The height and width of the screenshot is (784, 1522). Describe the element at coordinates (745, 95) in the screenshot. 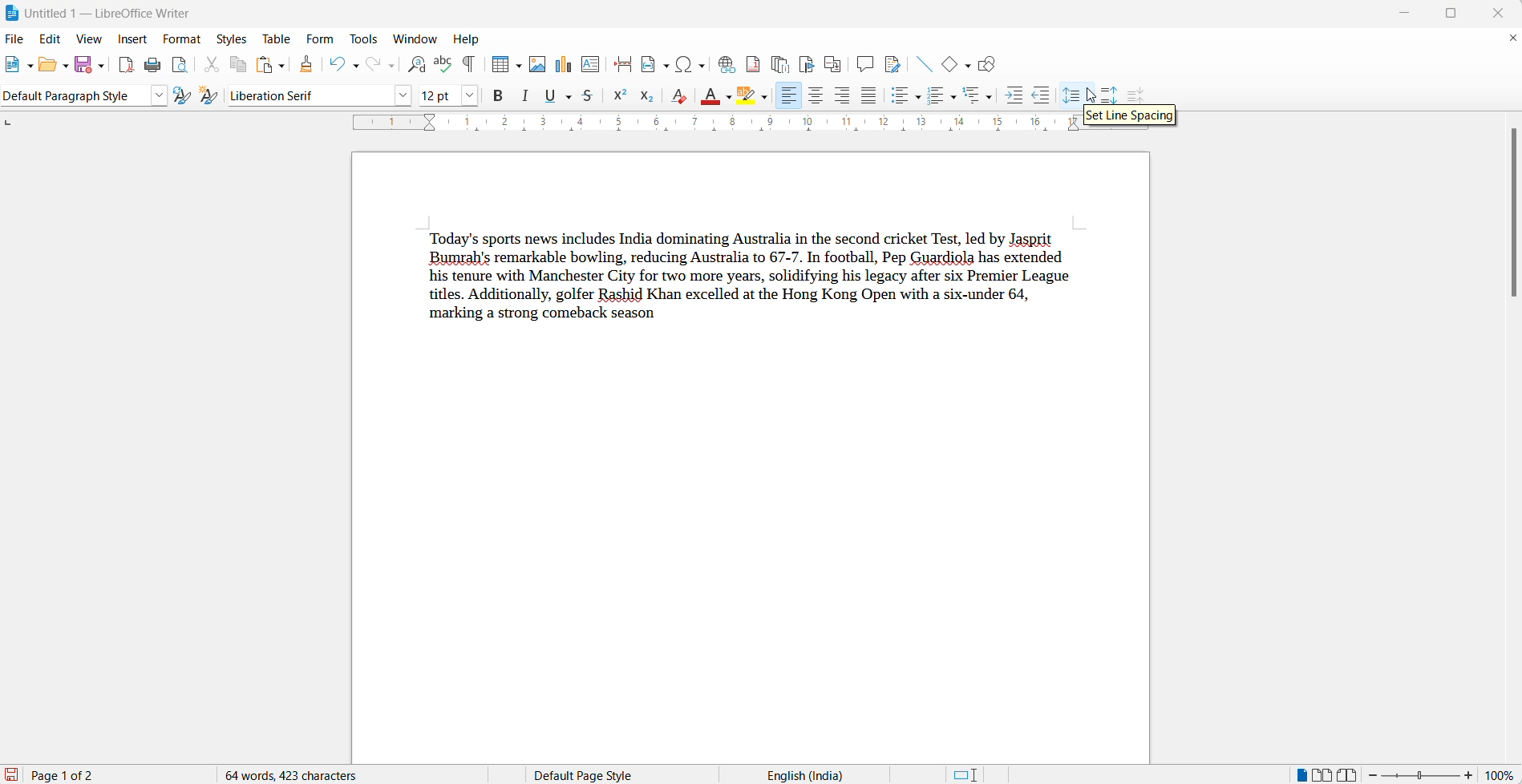

I see `character highlight` at that location.